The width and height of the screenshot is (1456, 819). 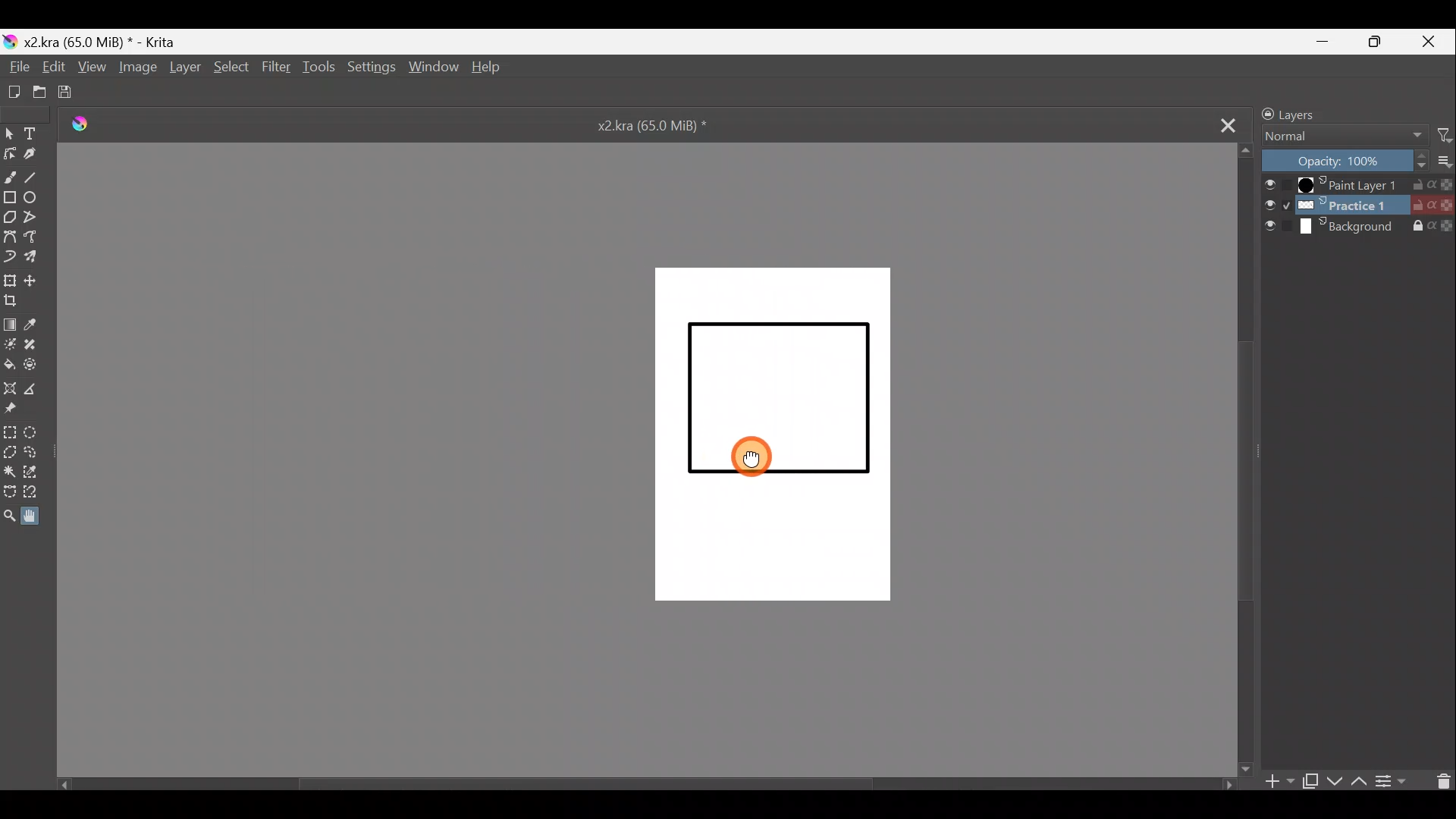 I want to click on Calligraphy, so click(x=36, y=155).